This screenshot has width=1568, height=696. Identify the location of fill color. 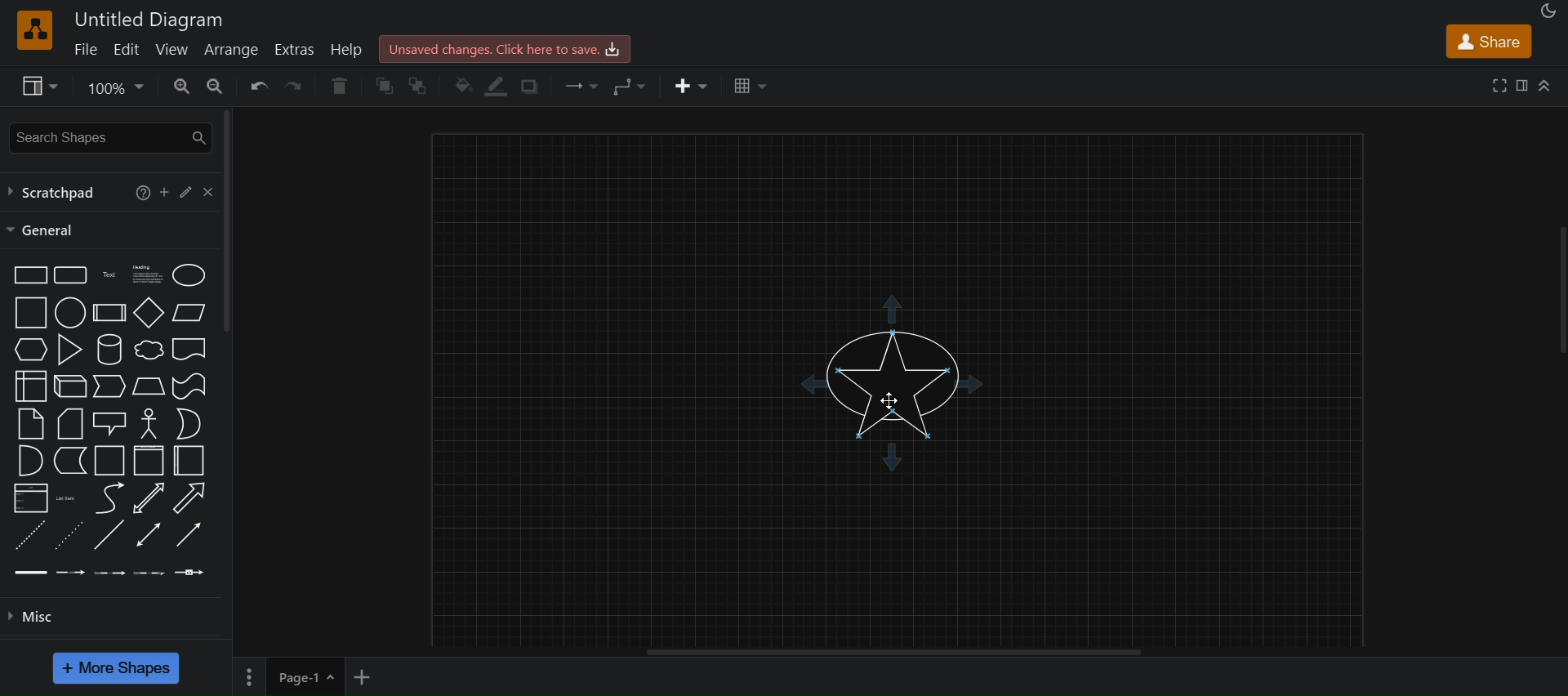
(462, 87).